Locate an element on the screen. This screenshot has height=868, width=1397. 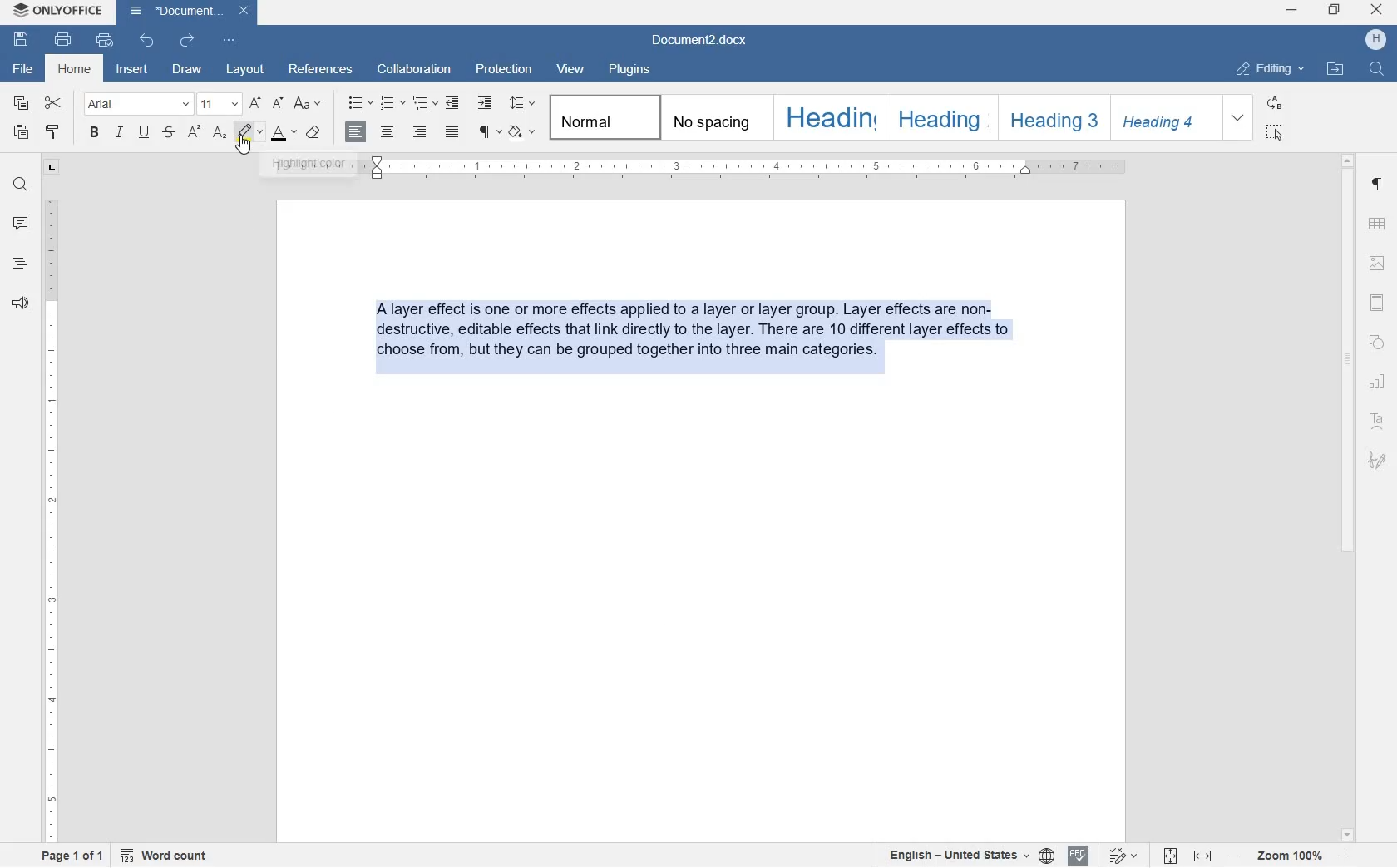
TAB STOP is located at coordinates (50, 169).